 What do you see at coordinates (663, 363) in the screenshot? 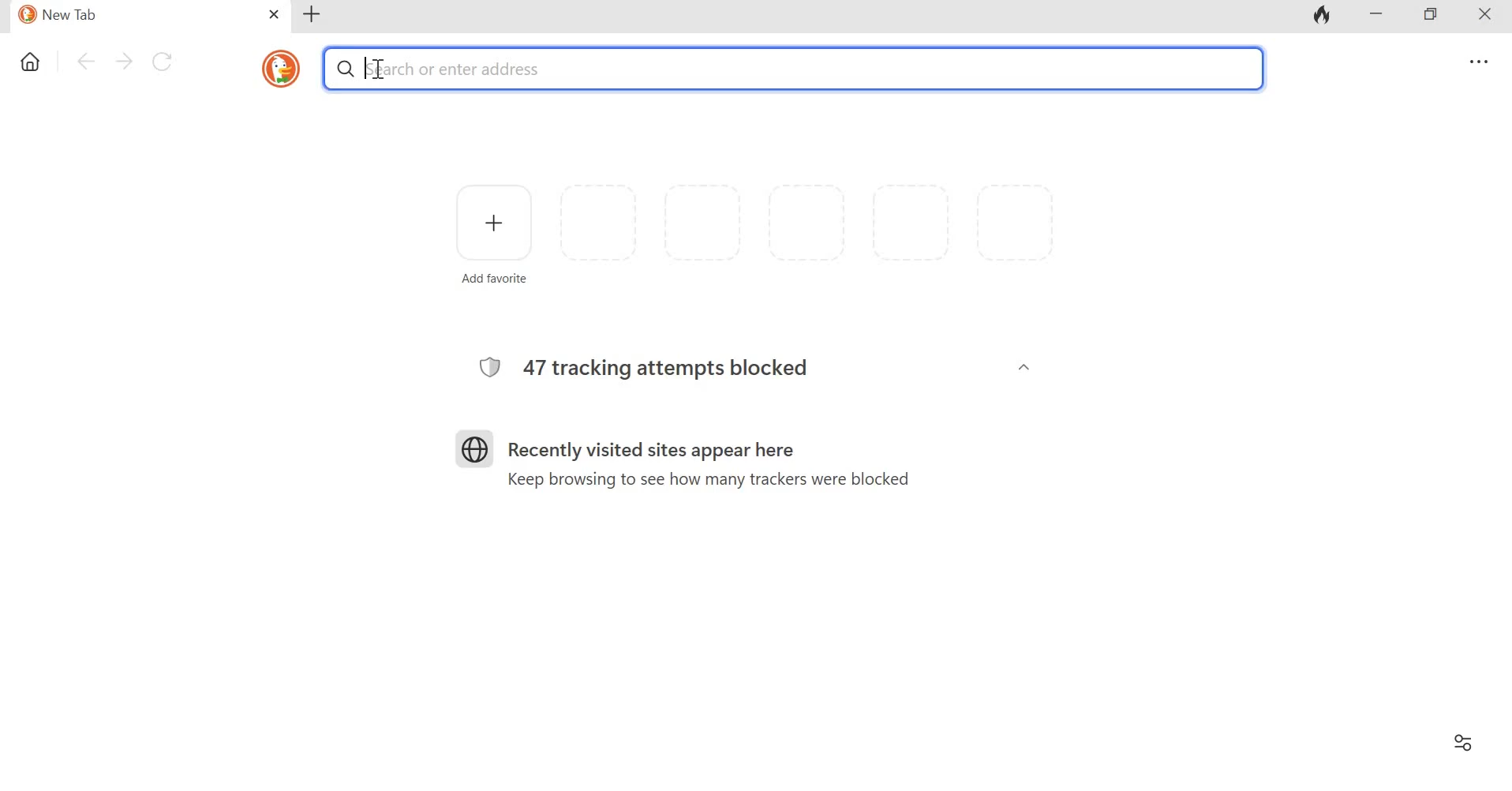
I see `47 tracking attempts blocked` at bounding box center [663, 363].